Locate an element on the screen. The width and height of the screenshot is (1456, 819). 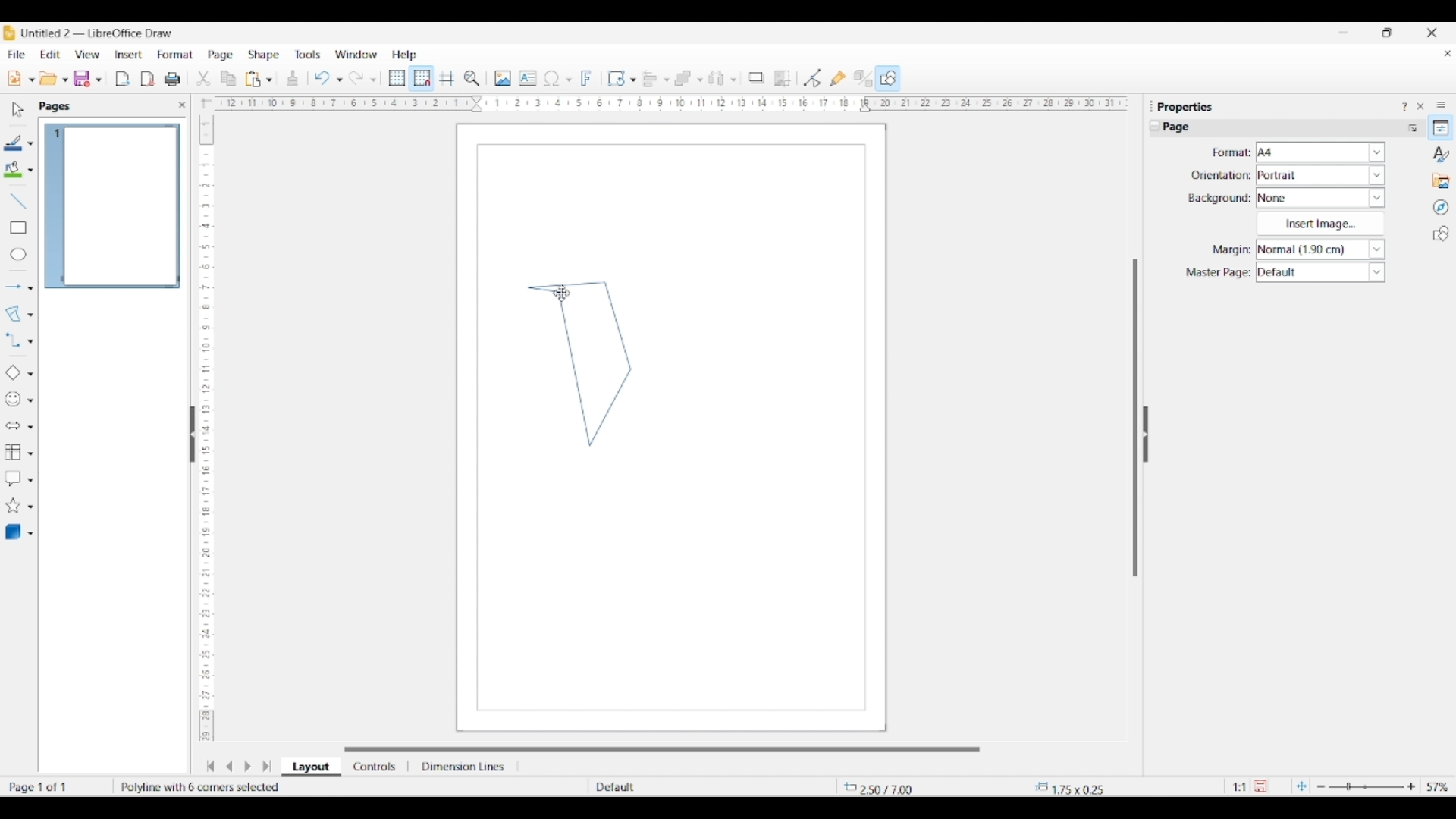
Selected basic shape is located at coordinates (12, 373).